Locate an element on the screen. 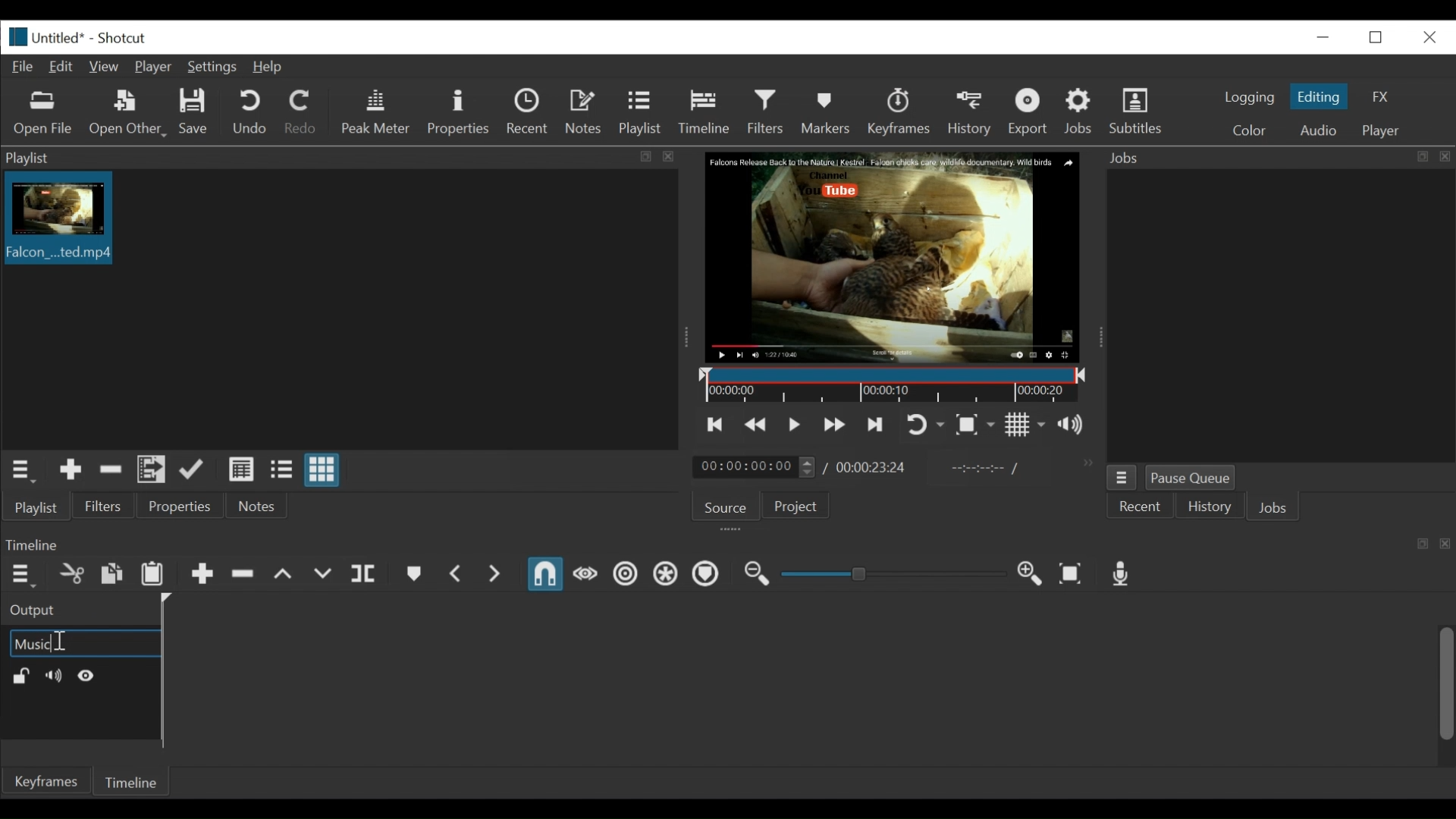  Player is located at coordinates (152, 67).